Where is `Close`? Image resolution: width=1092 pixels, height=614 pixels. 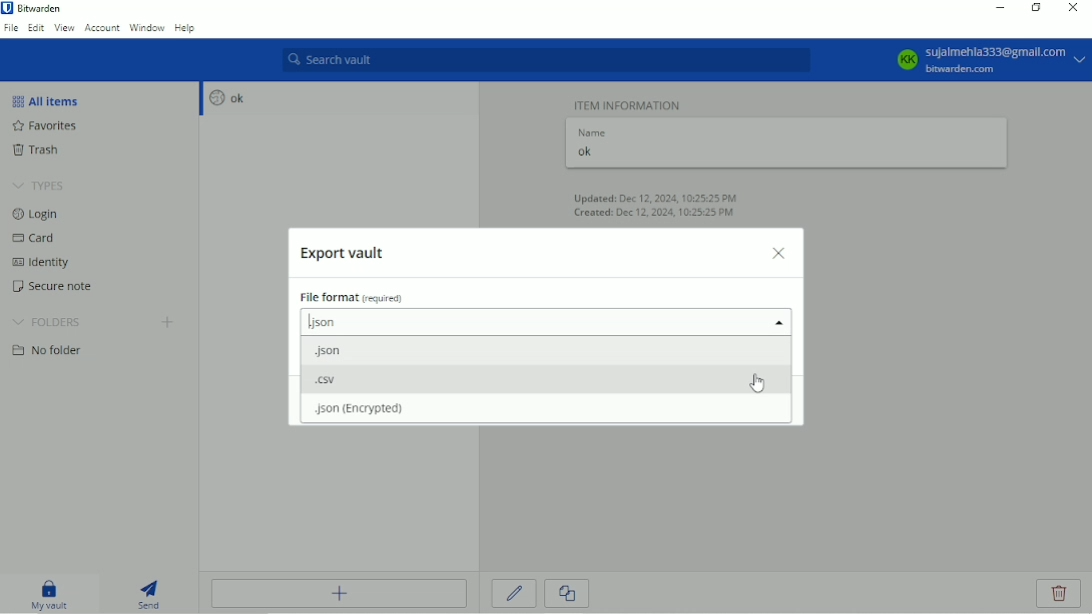
Close is located at coordinates (780, 253).